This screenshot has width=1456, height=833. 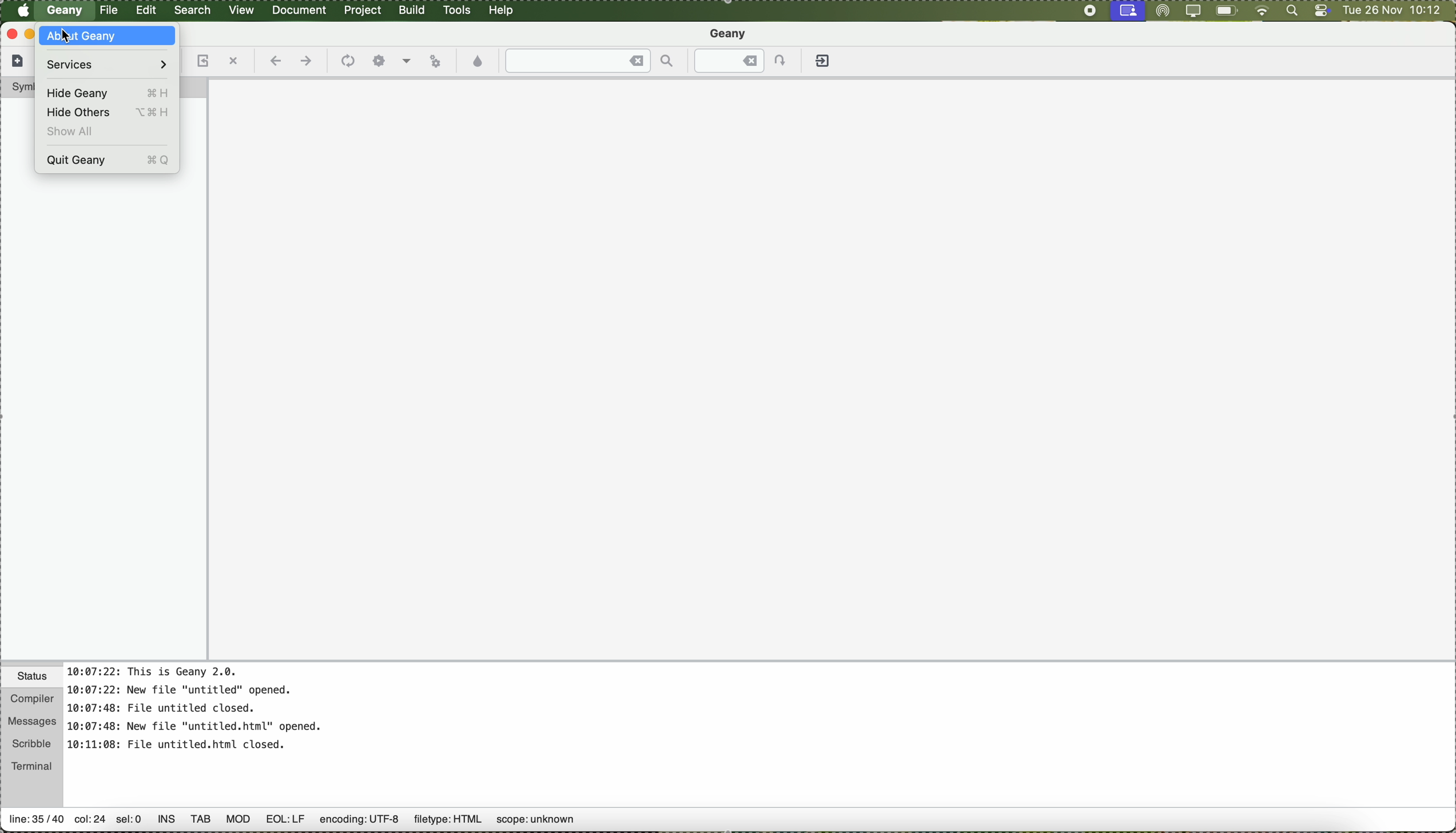 I want to click on sel:0, so click(x=130, y=822).